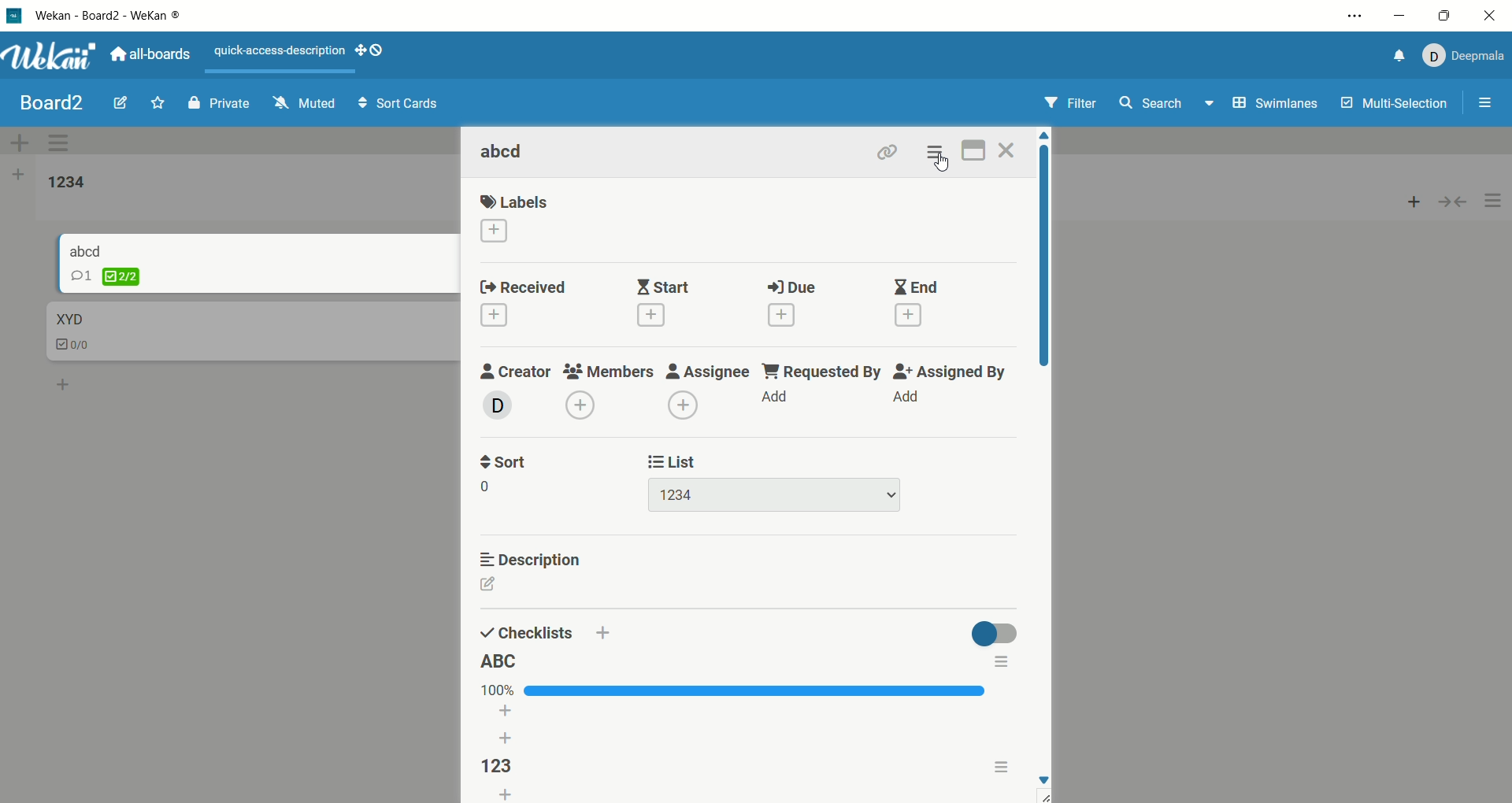 This screenshot has height=803, width=1512. What do you see at coordinates (492, 588) in the screenshot?
I see `edit` at bounding box center [492, 588].